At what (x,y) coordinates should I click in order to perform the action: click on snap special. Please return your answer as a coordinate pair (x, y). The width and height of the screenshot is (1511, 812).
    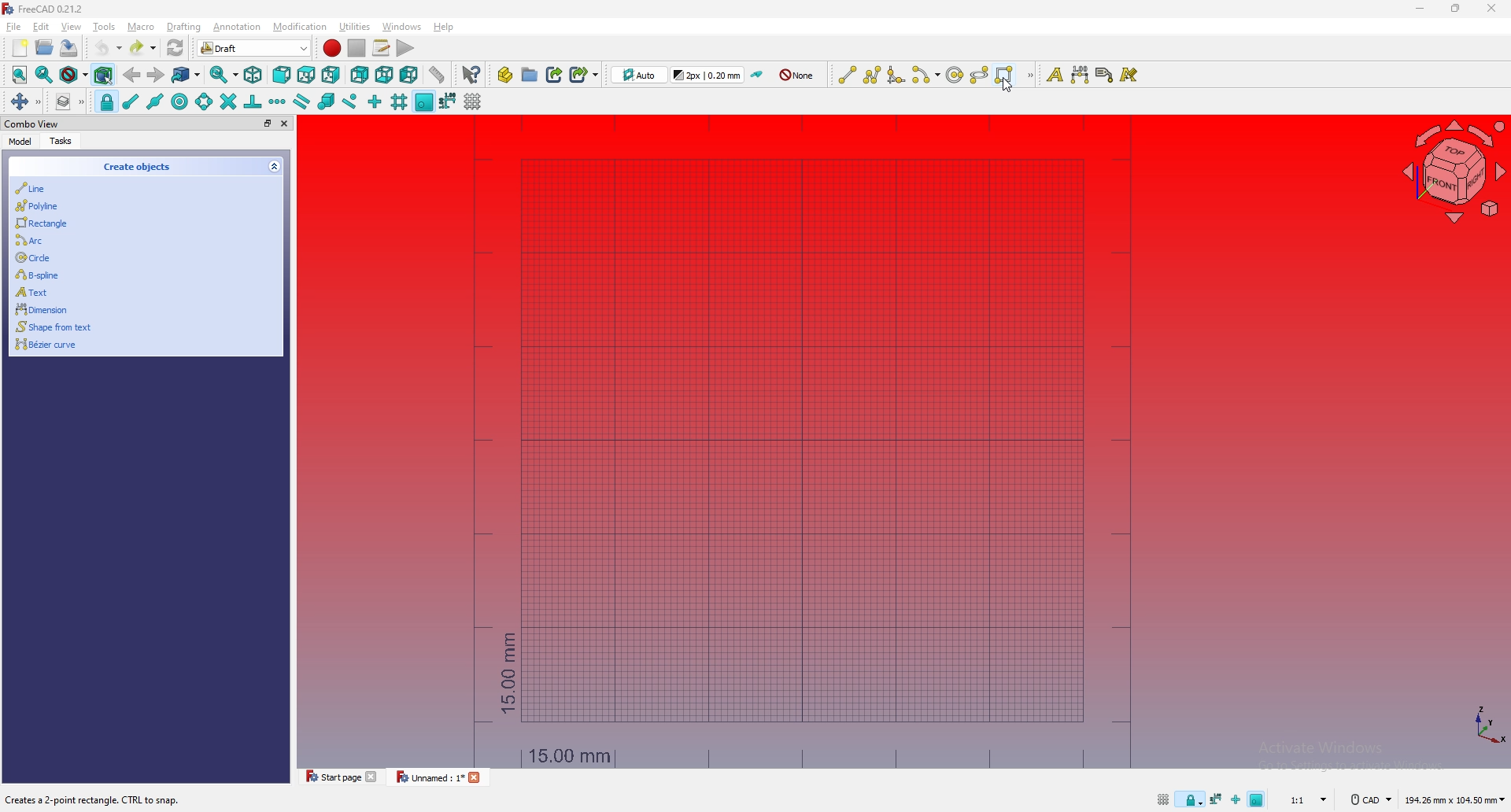
    Looking at the image, I should click on (325, 101).